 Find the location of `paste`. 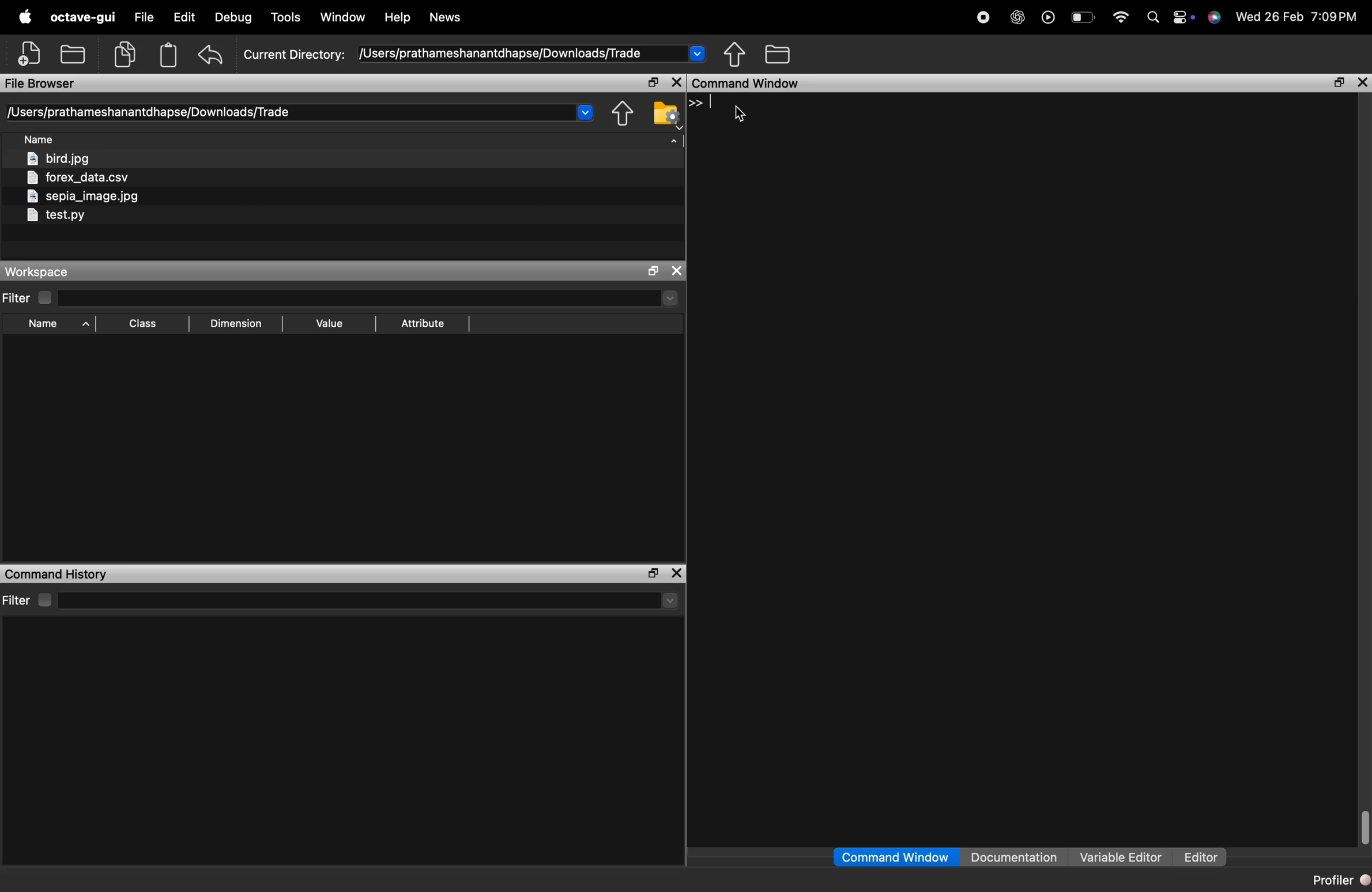

paste is located at coordinates (169, 54).